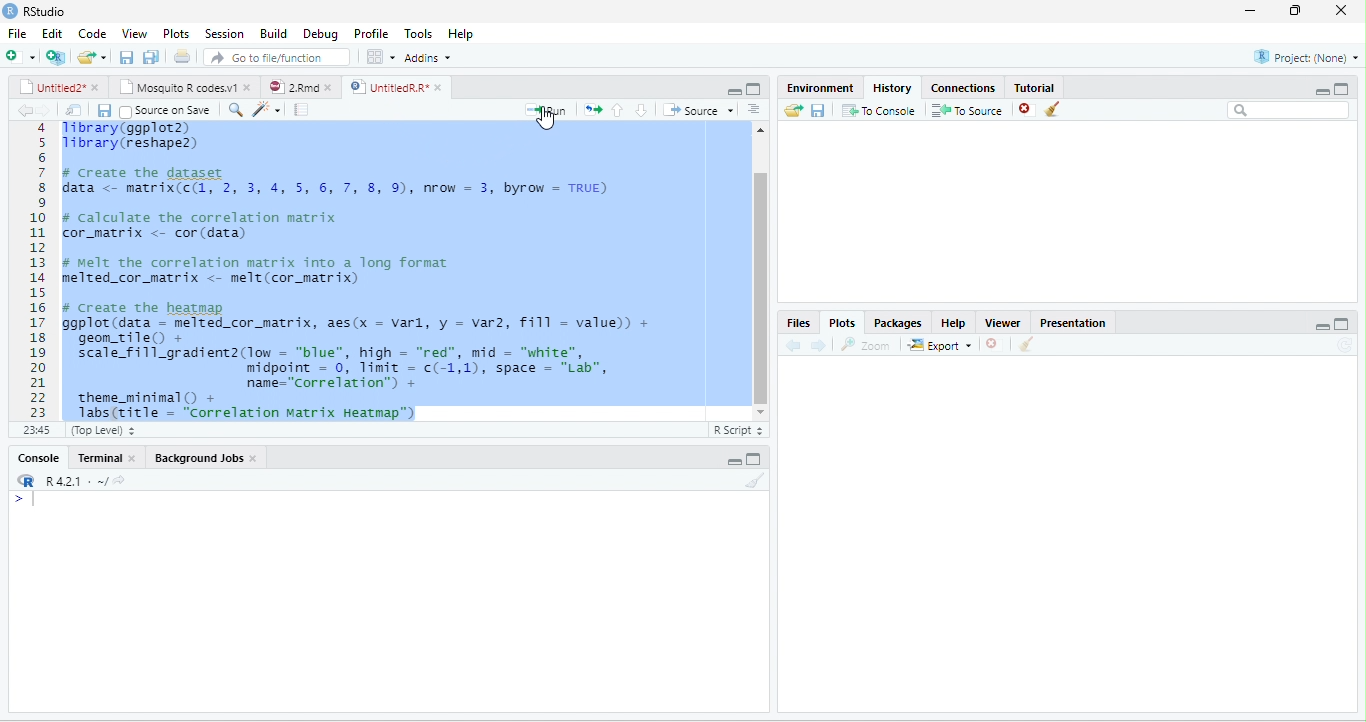 This screenshot has height=722, width=1366. I want to click on untitledR, so click(395, 87).